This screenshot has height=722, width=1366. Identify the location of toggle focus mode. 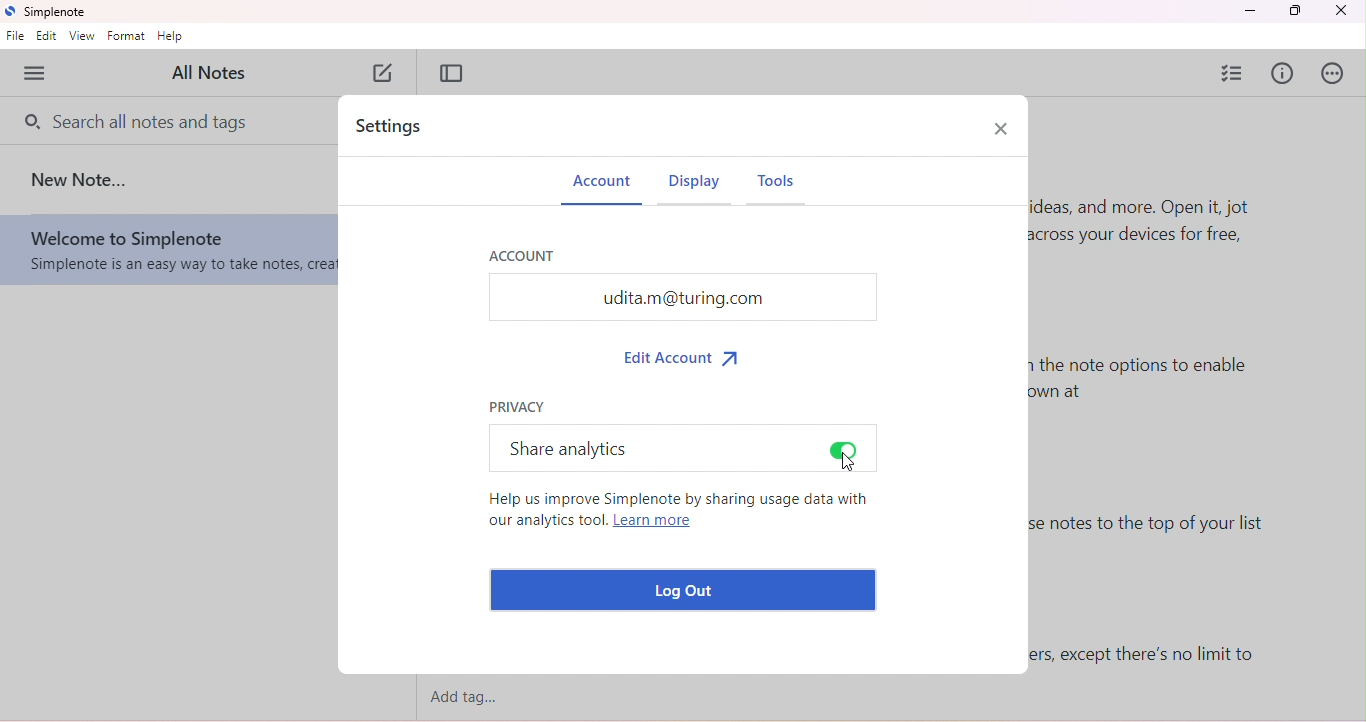
(452, 73).